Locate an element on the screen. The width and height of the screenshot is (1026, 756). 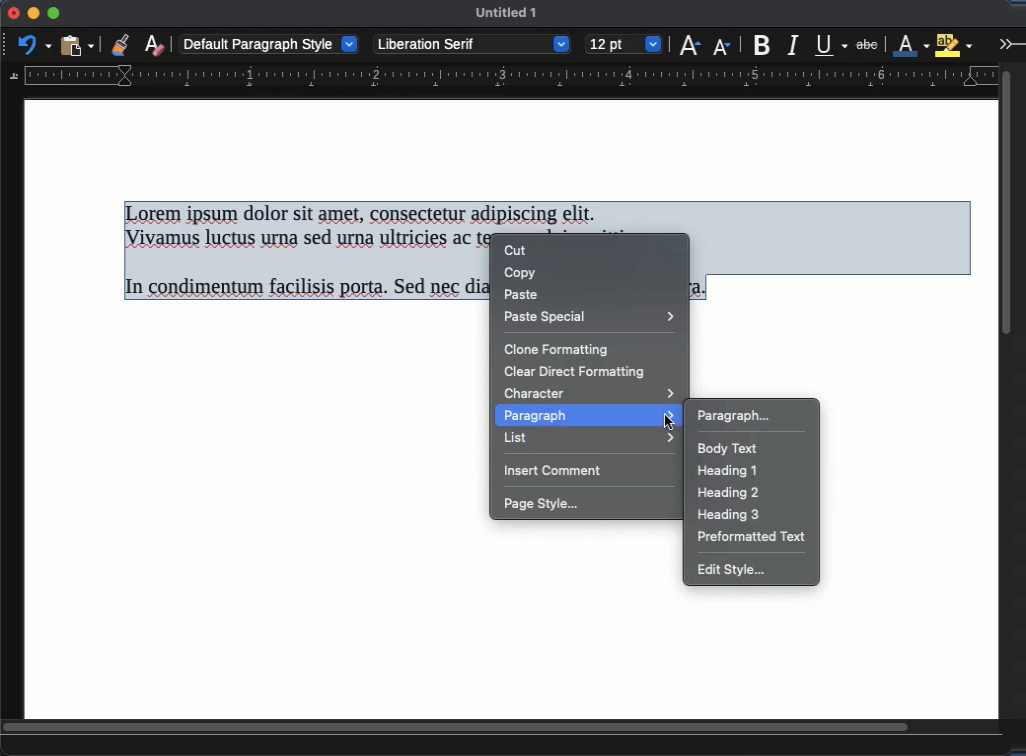
default paragraph style is located at coordinates (270, 43).